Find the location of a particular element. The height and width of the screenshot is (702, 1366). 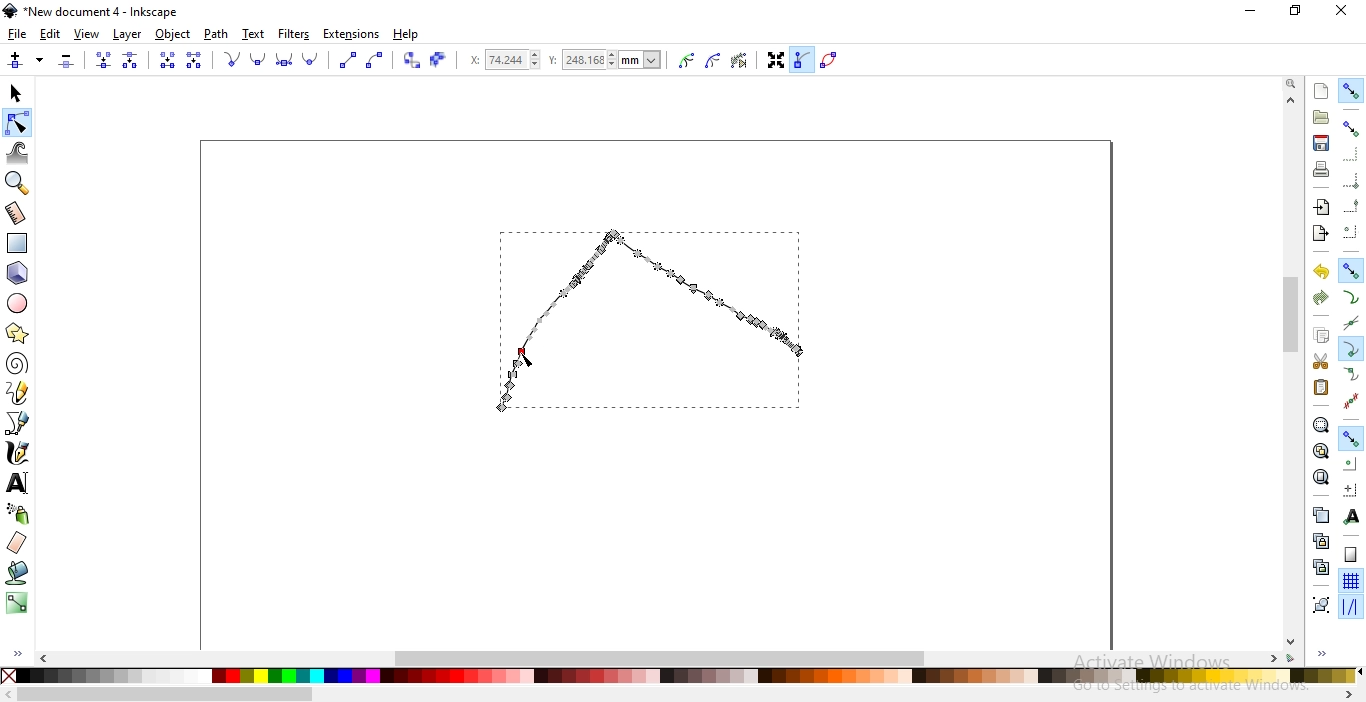

path is located at coordinates (214, 34).